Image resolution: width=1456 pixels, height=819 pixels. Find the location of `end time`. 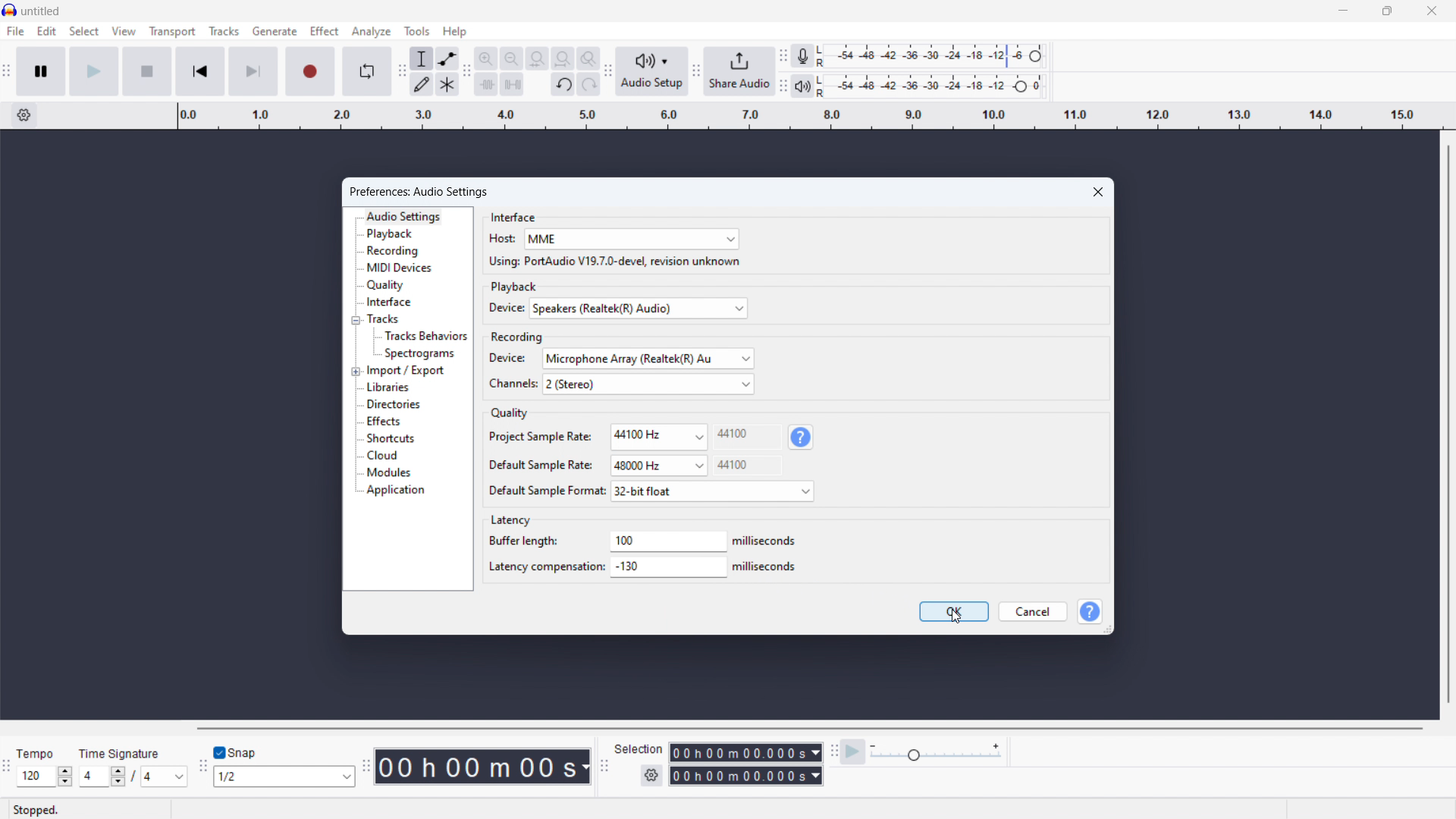

end time is located at coordinates (745, 777).